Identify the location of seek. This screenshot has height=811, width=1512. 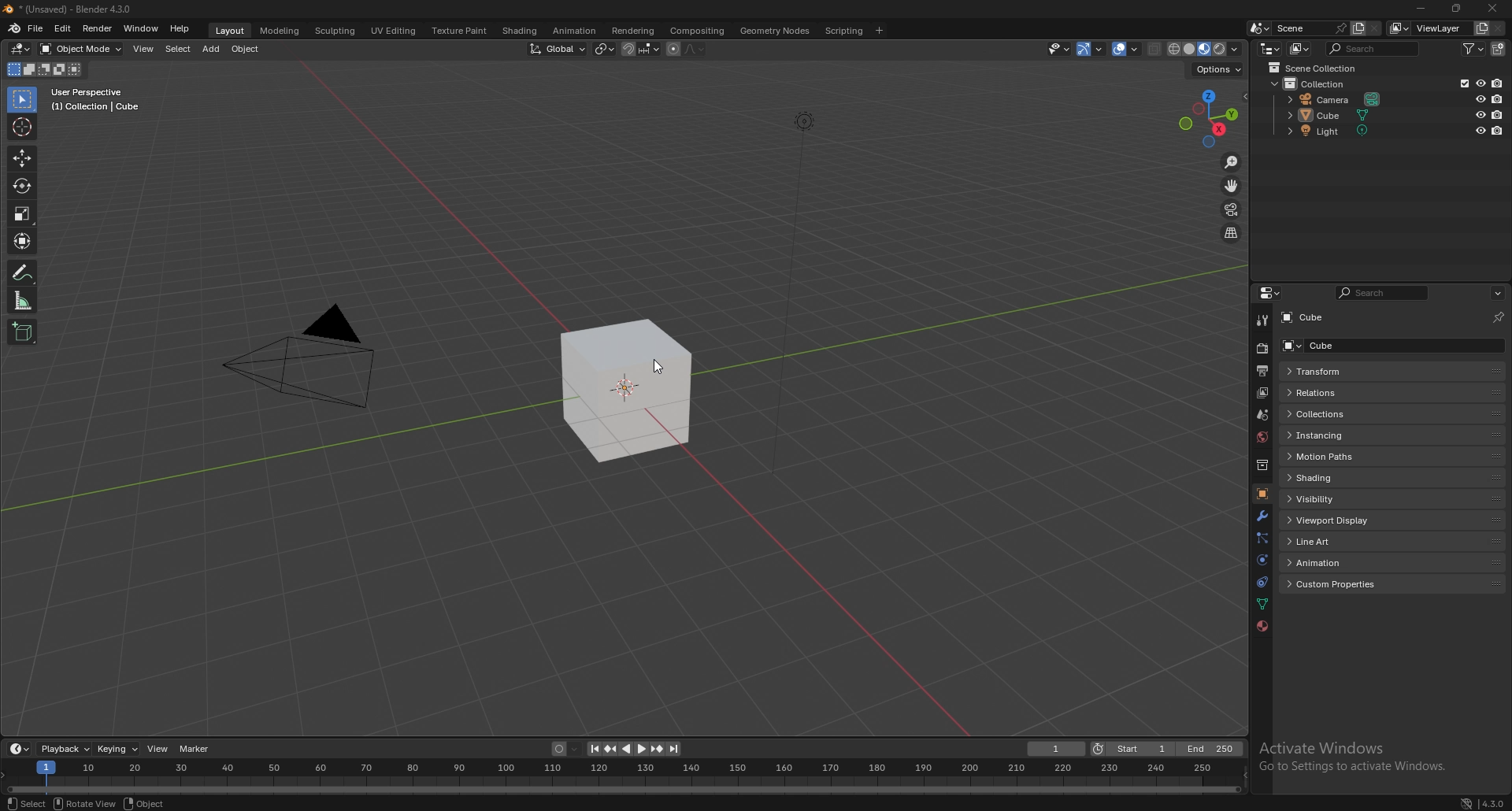
(622, 779).